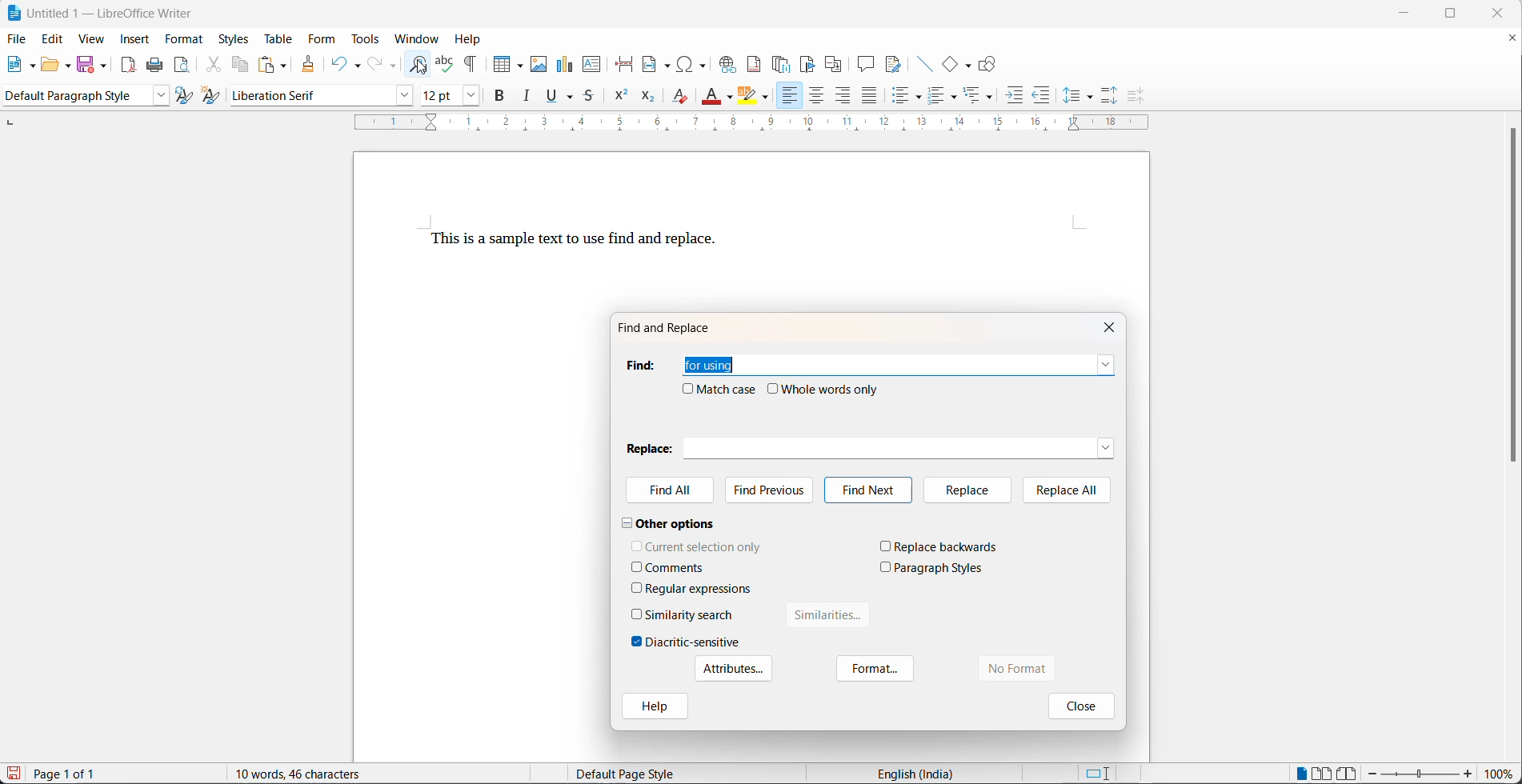 This screenshot has width=1522, height=784. I want to click on English (India), so click(920, 773).